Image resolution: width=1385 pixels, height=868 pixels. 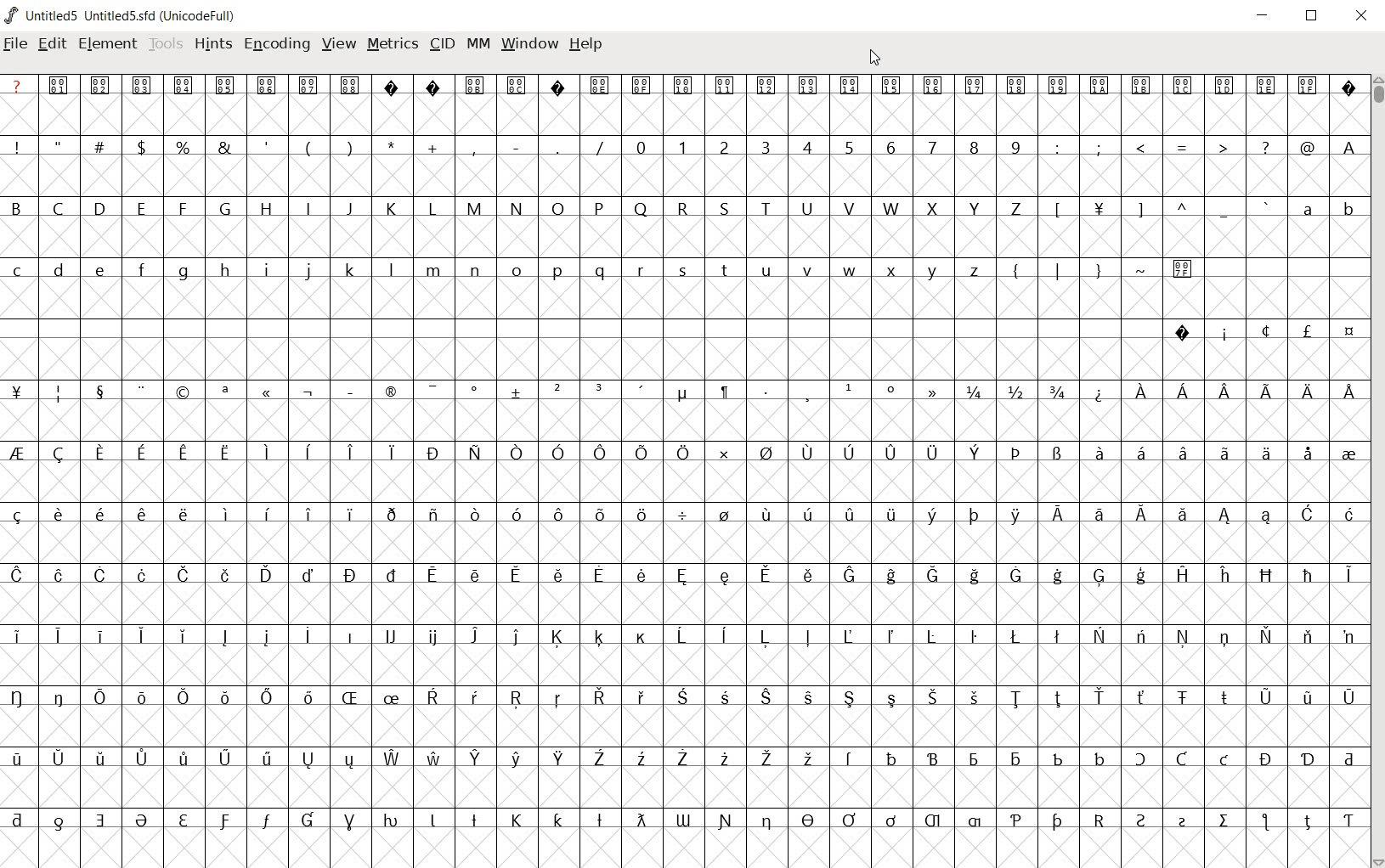 What do you see at coordinates (975, 268) in the screenshot?
I see `z` at bounding box center [975, 268].